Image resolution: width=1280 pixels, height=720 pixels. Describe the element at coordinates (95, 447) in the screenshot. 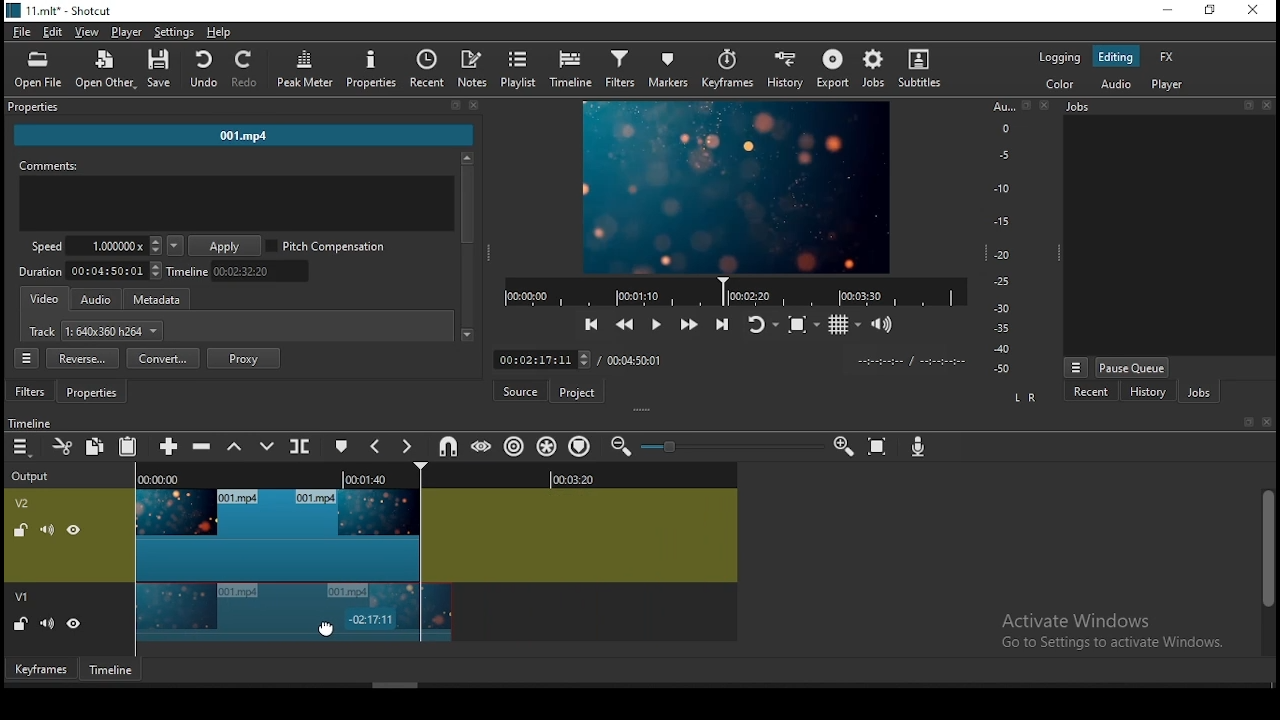

I see `copy` at that location.